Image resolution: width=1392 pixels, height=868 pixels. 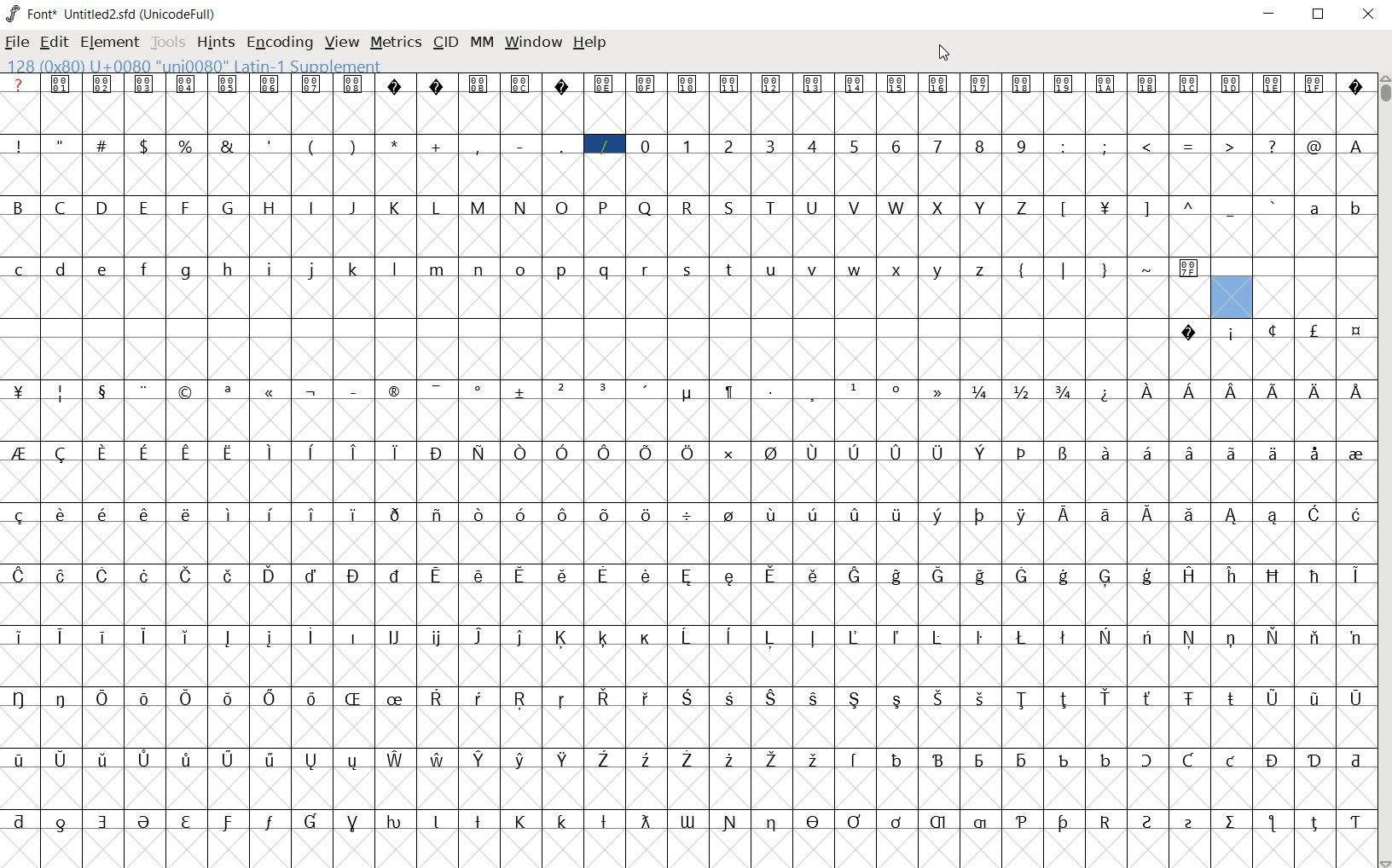 I want to click on glyph, so click(x=270, y=575).